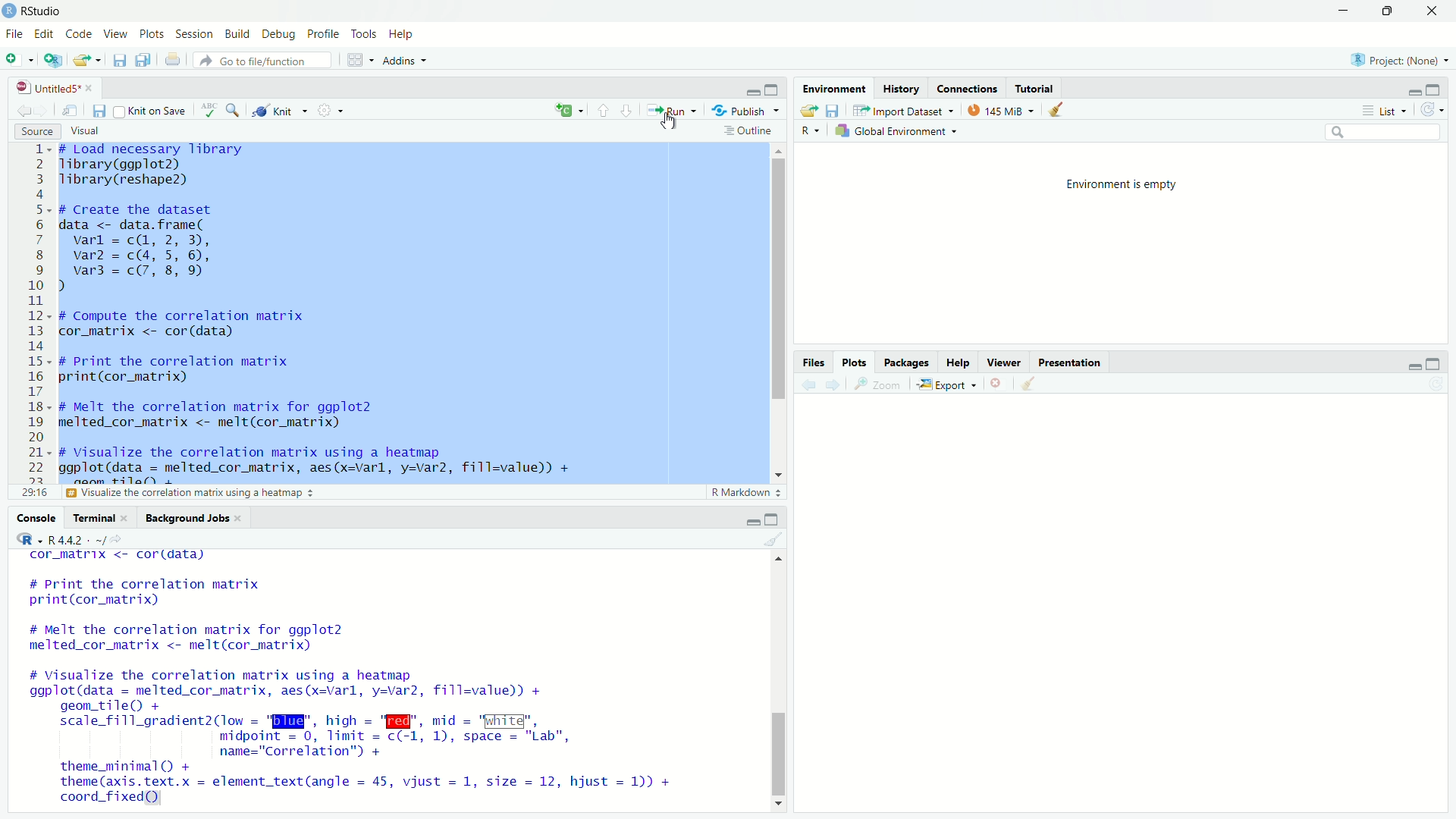 Image resolution: width=1456 pixels, height=819 pixels. What do you see at coordinates (969, 88) in the screenshot?
I see `connections` at bounding box center [969, 88].